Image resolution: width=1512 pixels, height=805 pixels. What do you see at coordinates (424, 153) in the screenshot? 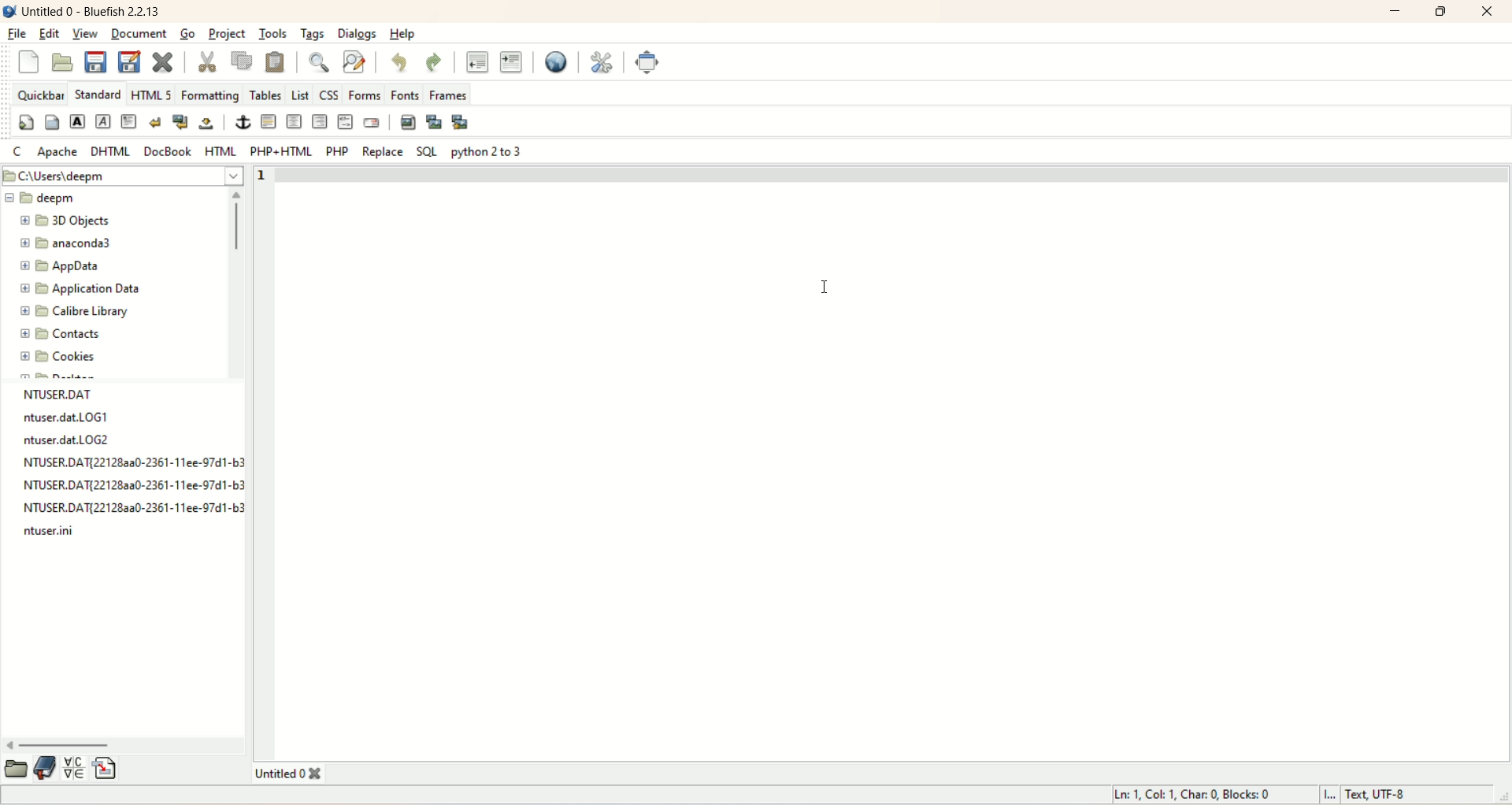
I see `SQL` at bounding box center [424, 153].